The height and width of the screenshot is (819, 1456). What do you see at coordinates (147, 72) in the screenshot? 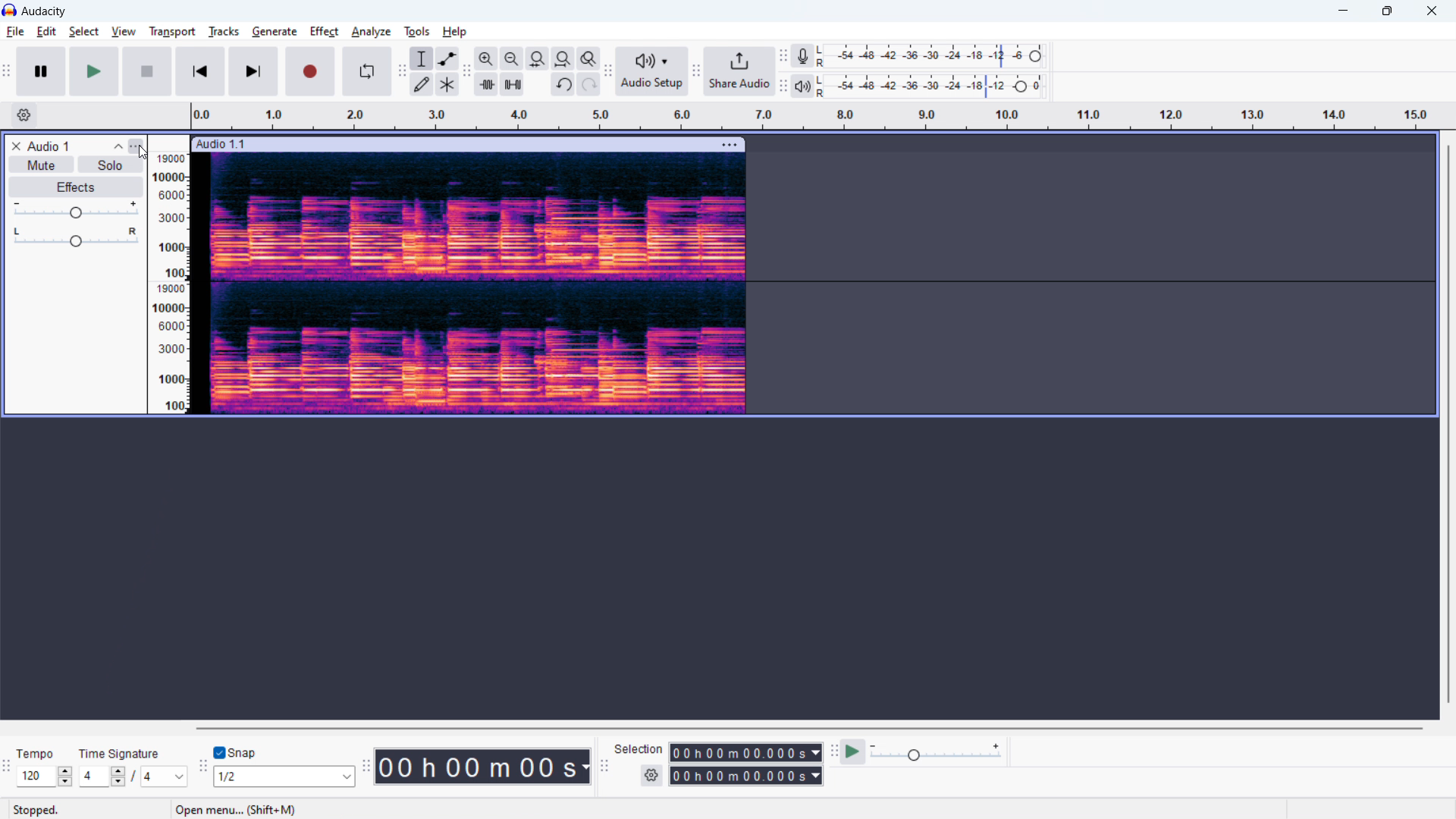
I see `stop` at bounding box center [147, 72].